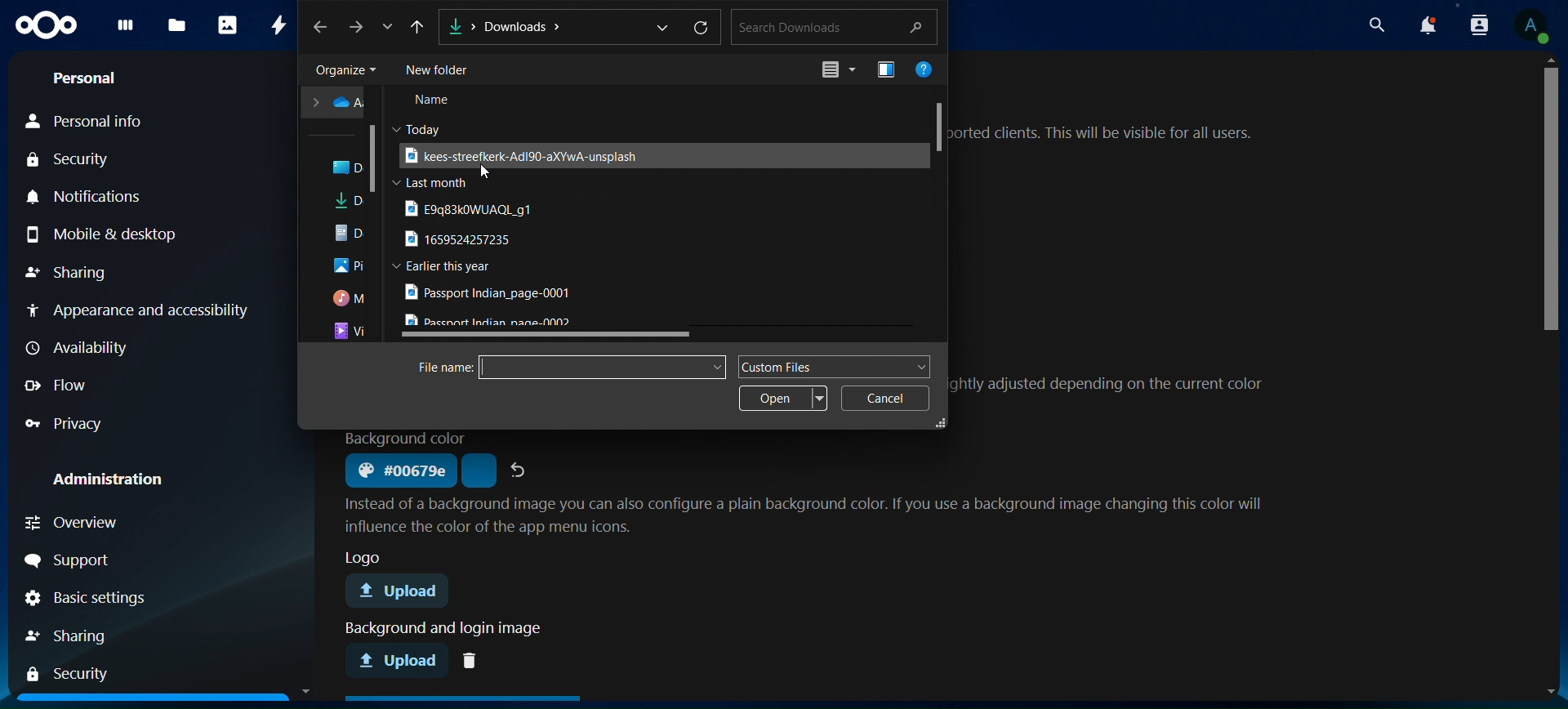 The height and width of the screenshot is (709, 1568). What do you see at coordinates (433, 183) in the screenshot?
I see `last month` at bounding box center [433, 183].